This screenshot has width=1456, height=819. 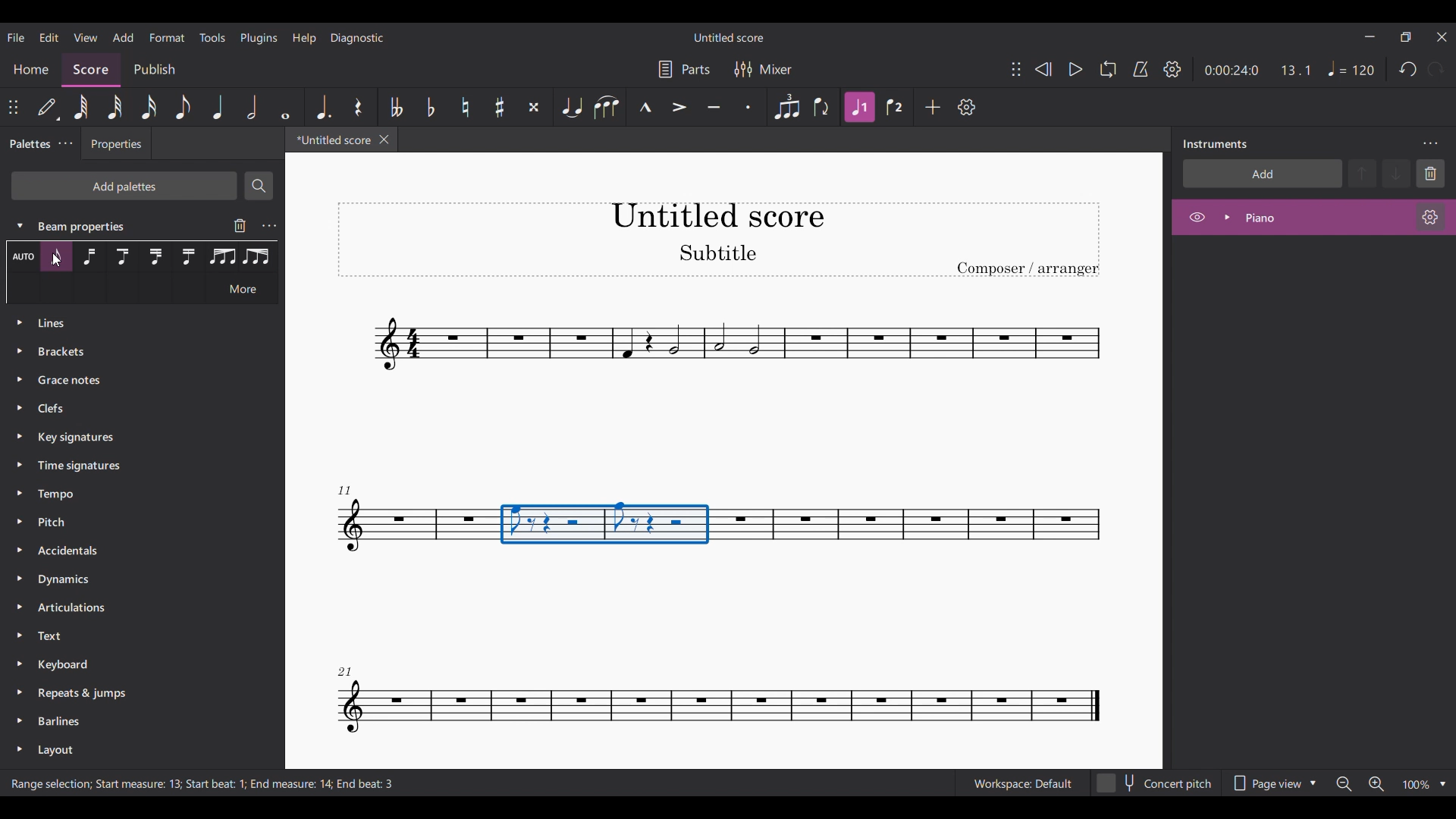 I want to click on Brackets, so click(x=136, y=354).